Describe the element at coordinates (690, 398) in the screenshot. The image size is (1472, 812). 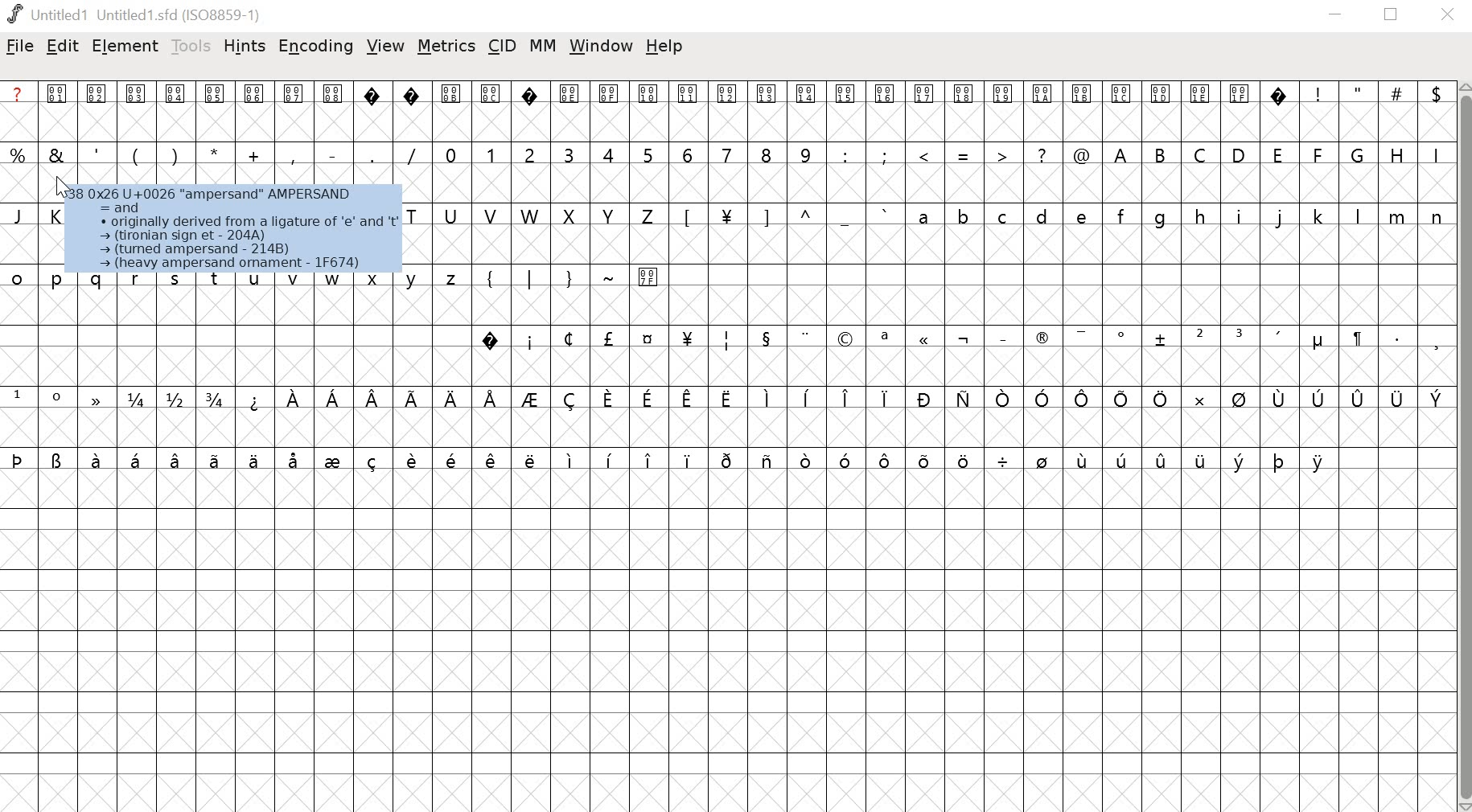
I see `symbol` at that location.